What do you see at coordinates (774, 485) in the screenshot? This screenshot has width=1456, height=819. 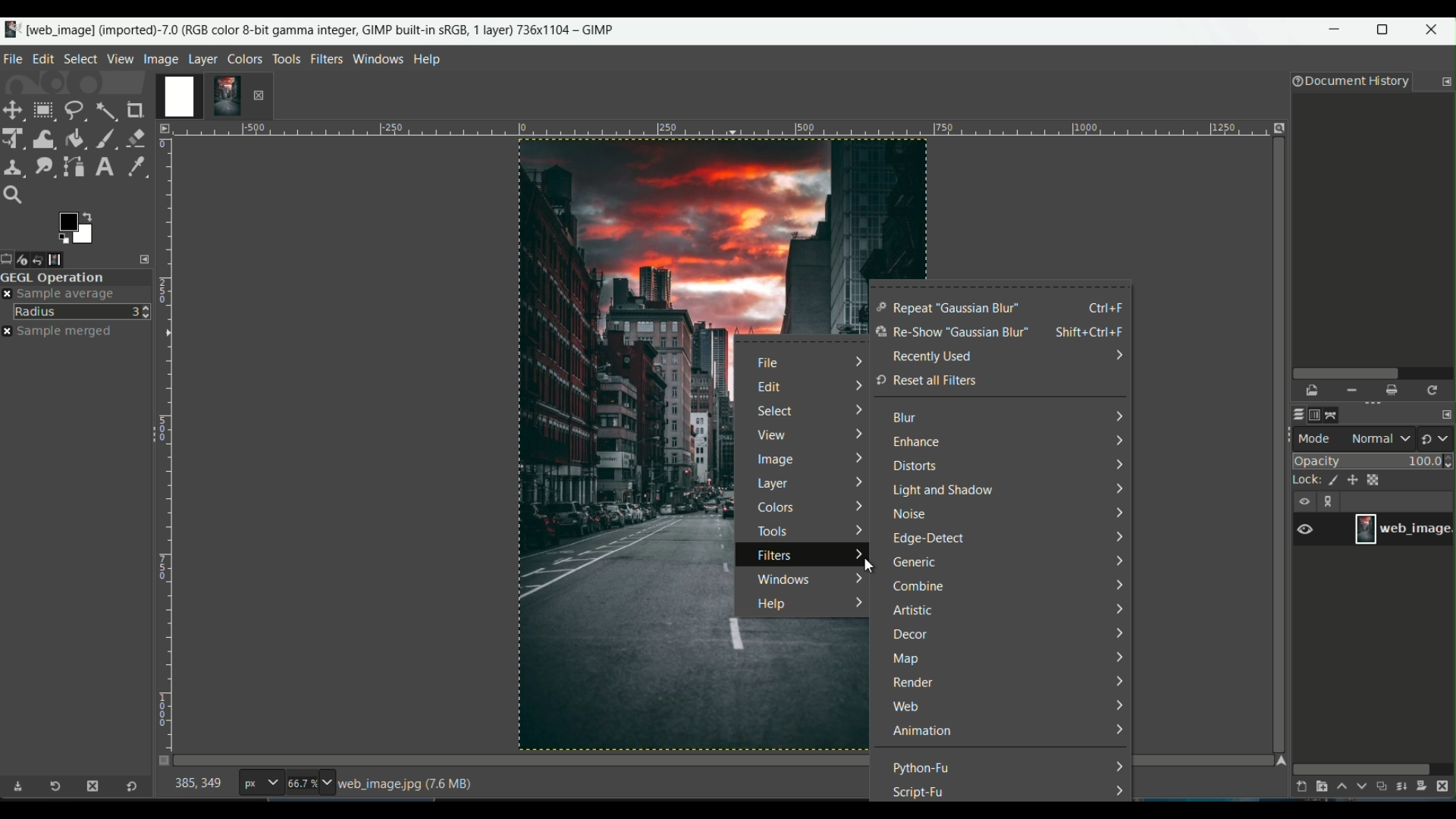 I see `layer` at bounding box center [774, 485].